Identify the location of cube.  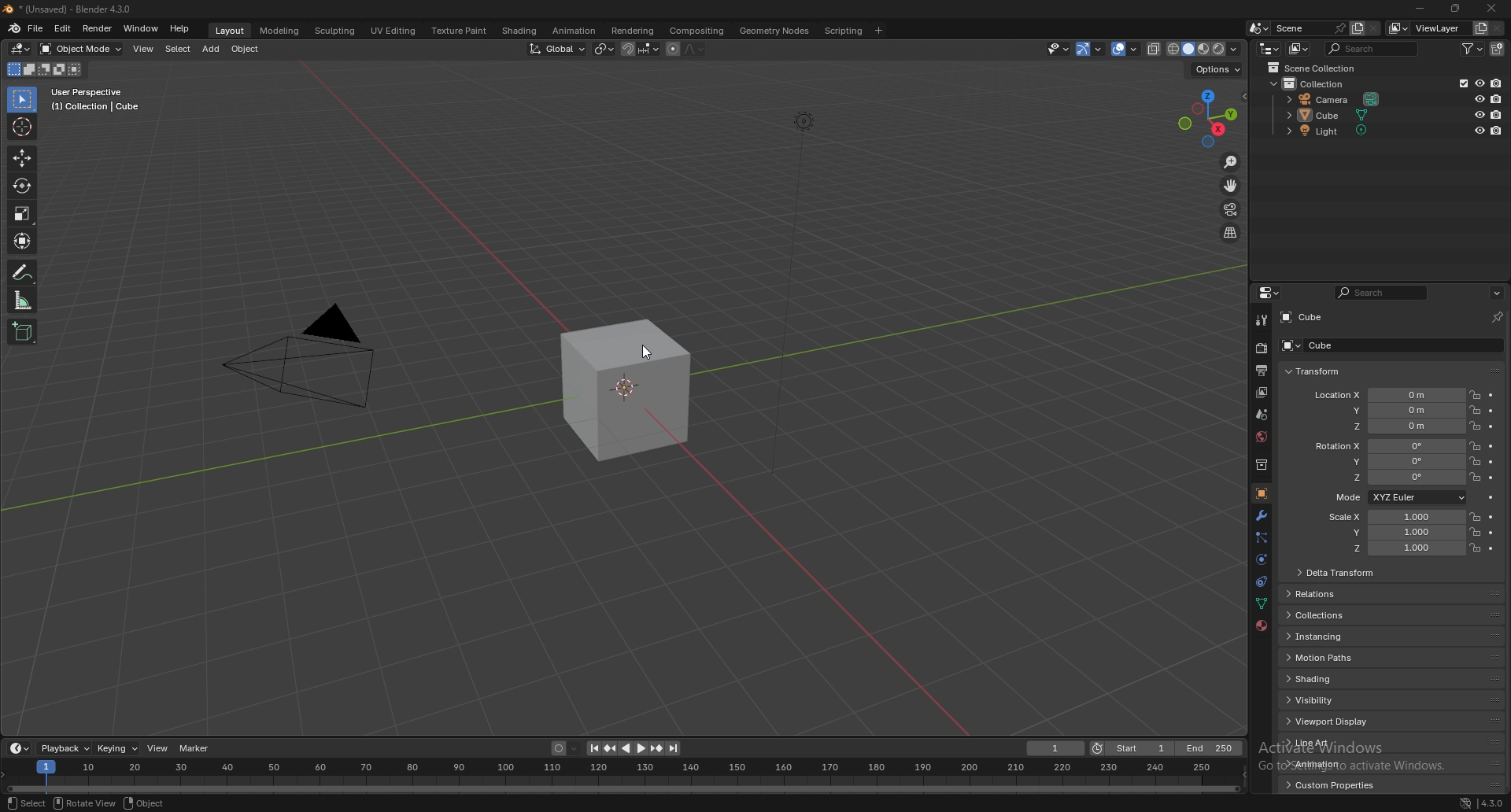
(1312, 345).